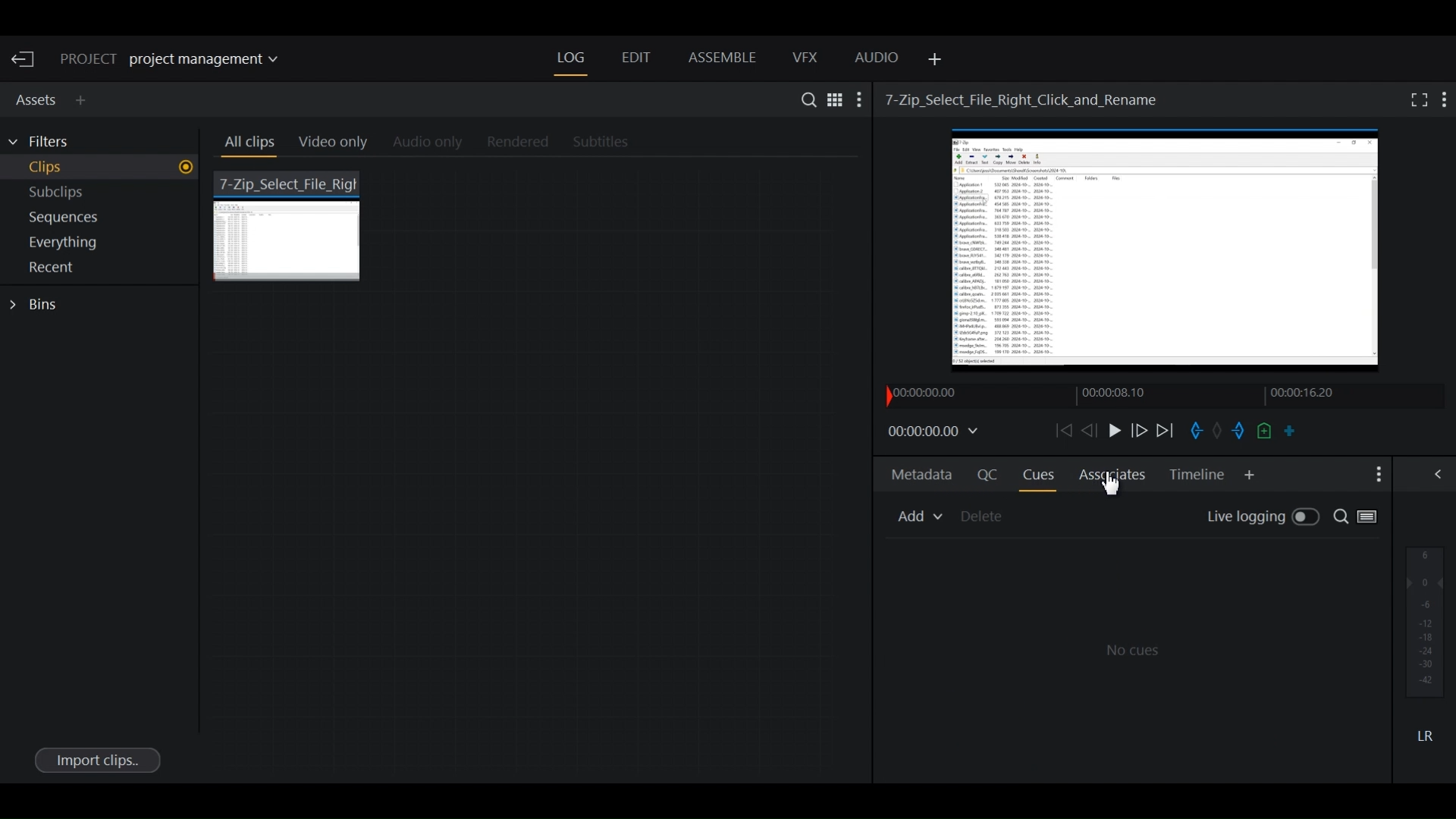 This screenshot has height=819, width=1456. What do you see at coordinates (102, 169) in the screenshot?
I see `Show Clips in current project` at bounding box center [102, 169].